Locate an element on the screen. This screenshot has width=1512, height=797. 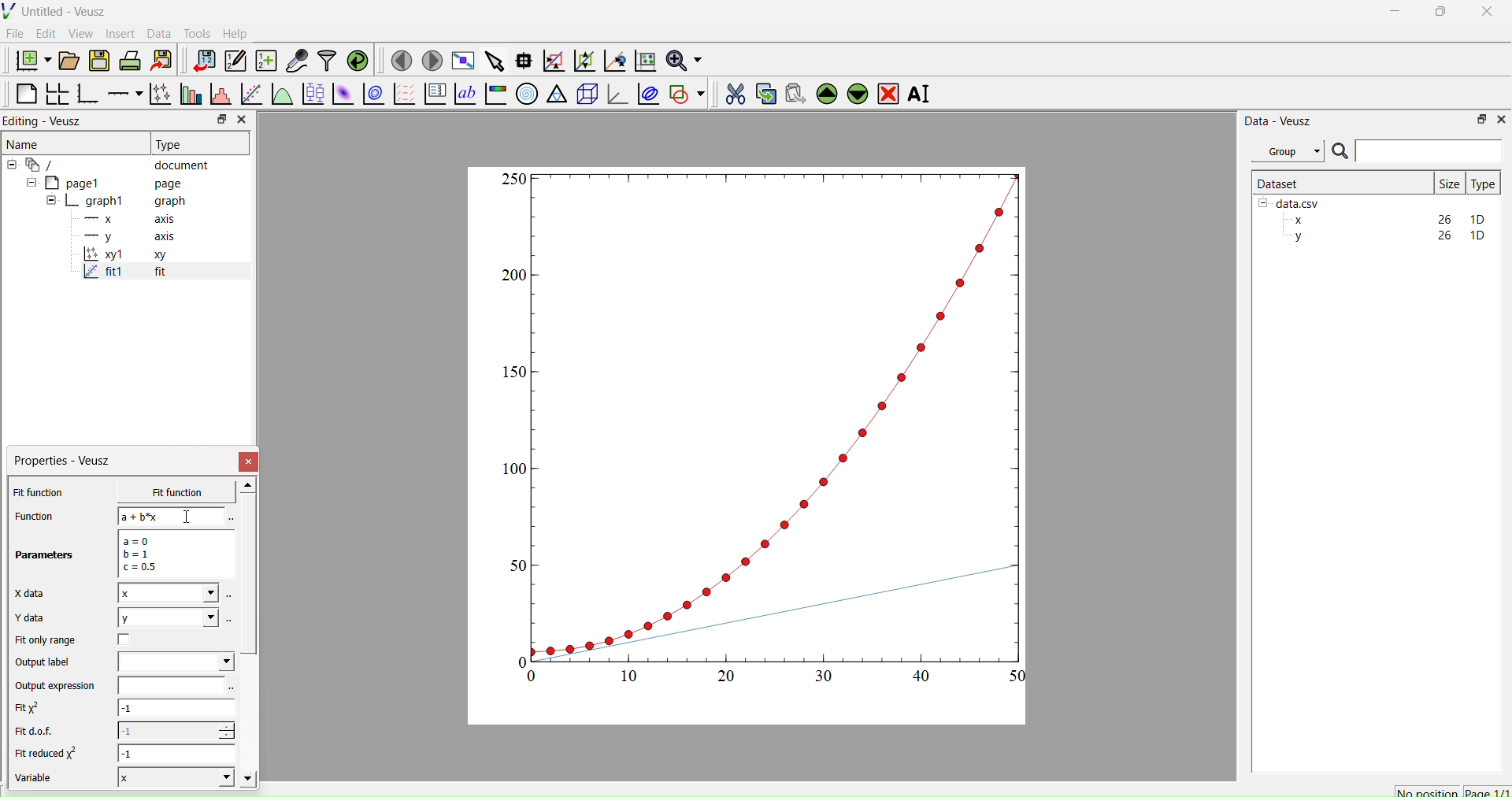
Print the document is located at coordinates (130, 59).